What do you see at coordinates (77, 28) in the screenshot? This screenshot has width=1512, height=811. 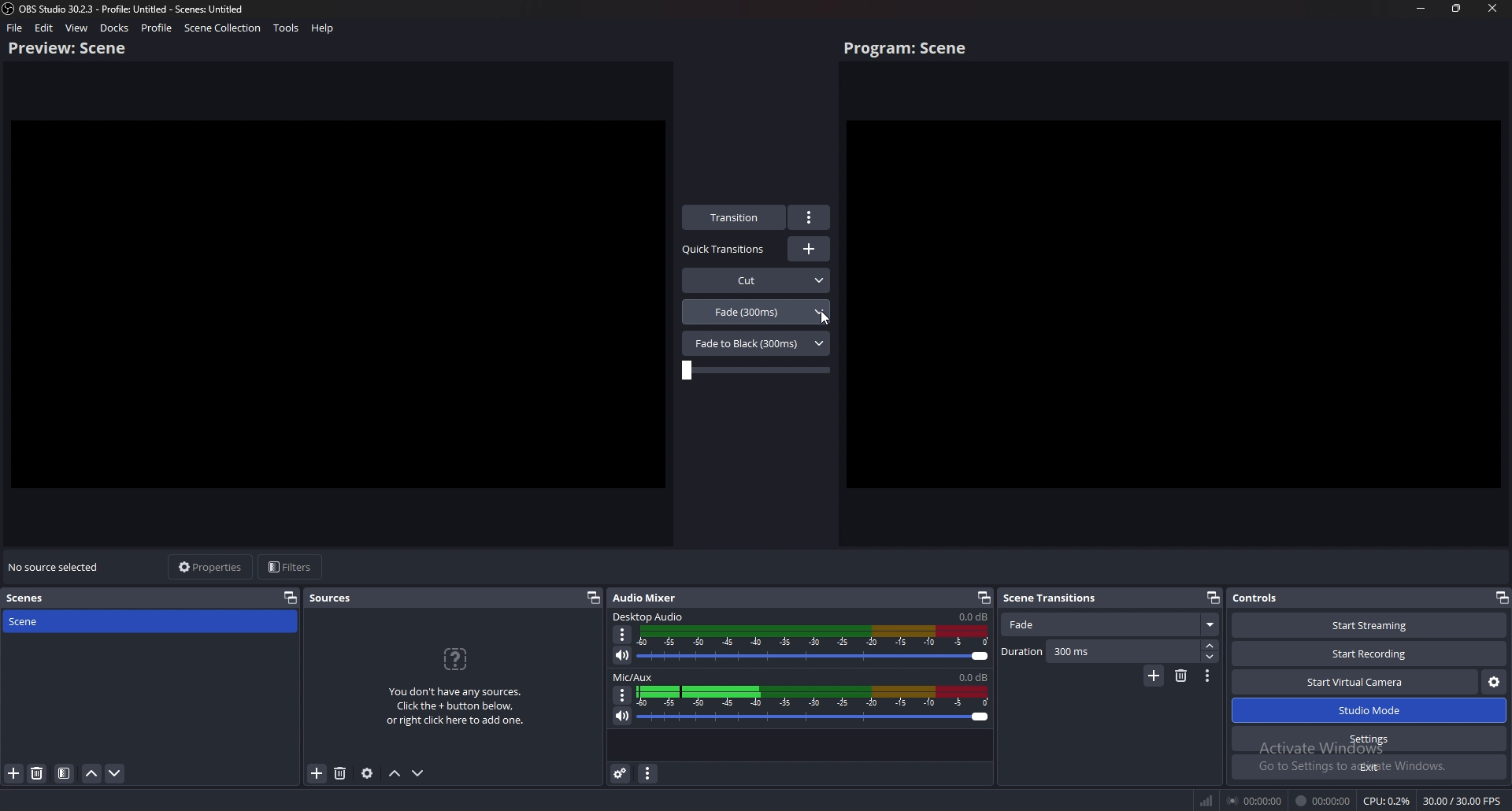 I see `view` at bounding box center [77, 28].